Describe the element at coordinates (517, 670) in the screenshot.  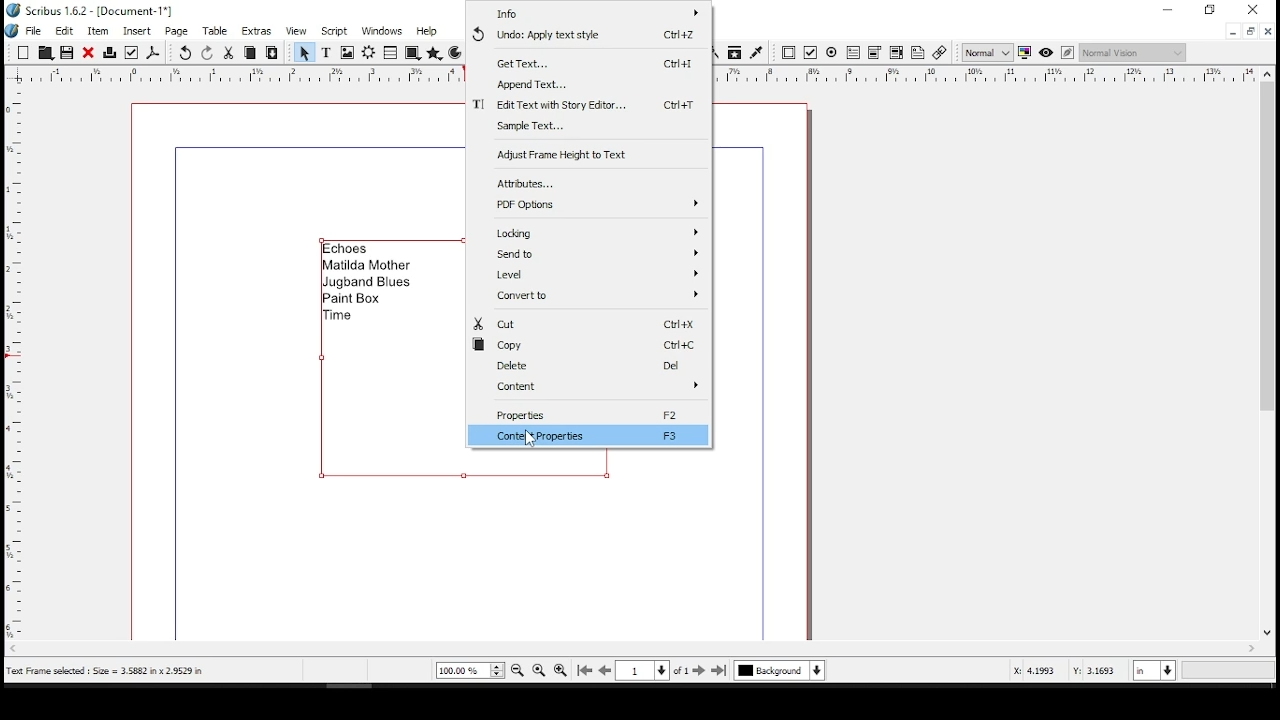
I see `zoom out` at that location.